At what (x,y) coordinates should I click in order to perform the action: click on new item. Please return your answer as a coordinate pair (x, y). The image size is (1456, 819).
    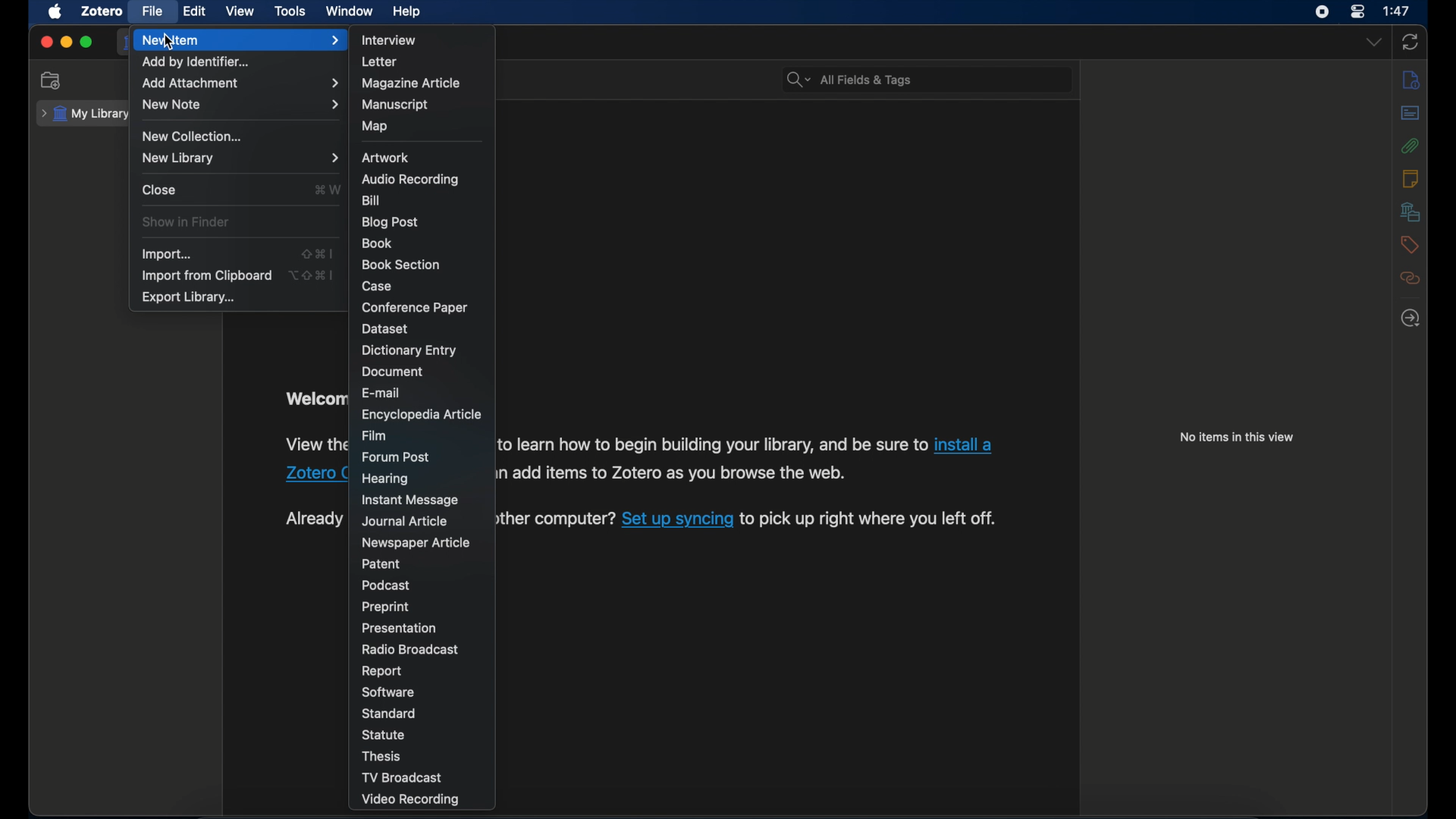
    Looking at the image, I should click on (240, 40).